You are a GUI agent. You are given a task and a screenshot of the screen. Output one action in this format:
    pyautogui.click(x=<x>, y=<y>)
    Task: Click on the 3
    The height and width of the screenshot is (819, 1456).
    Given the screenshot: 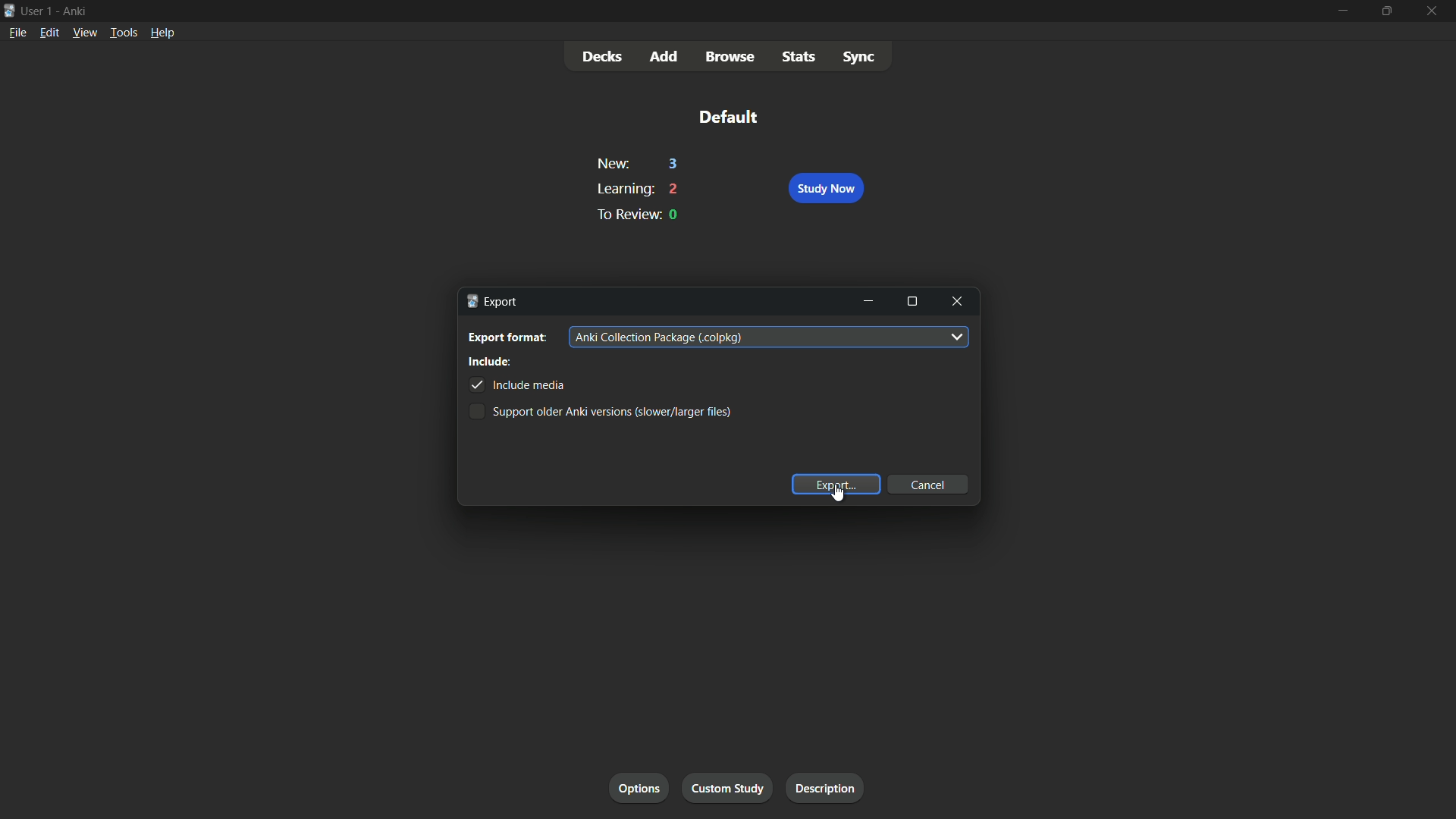 What is the action you would take?
    pyautogui.click(x=674, y=165)
    